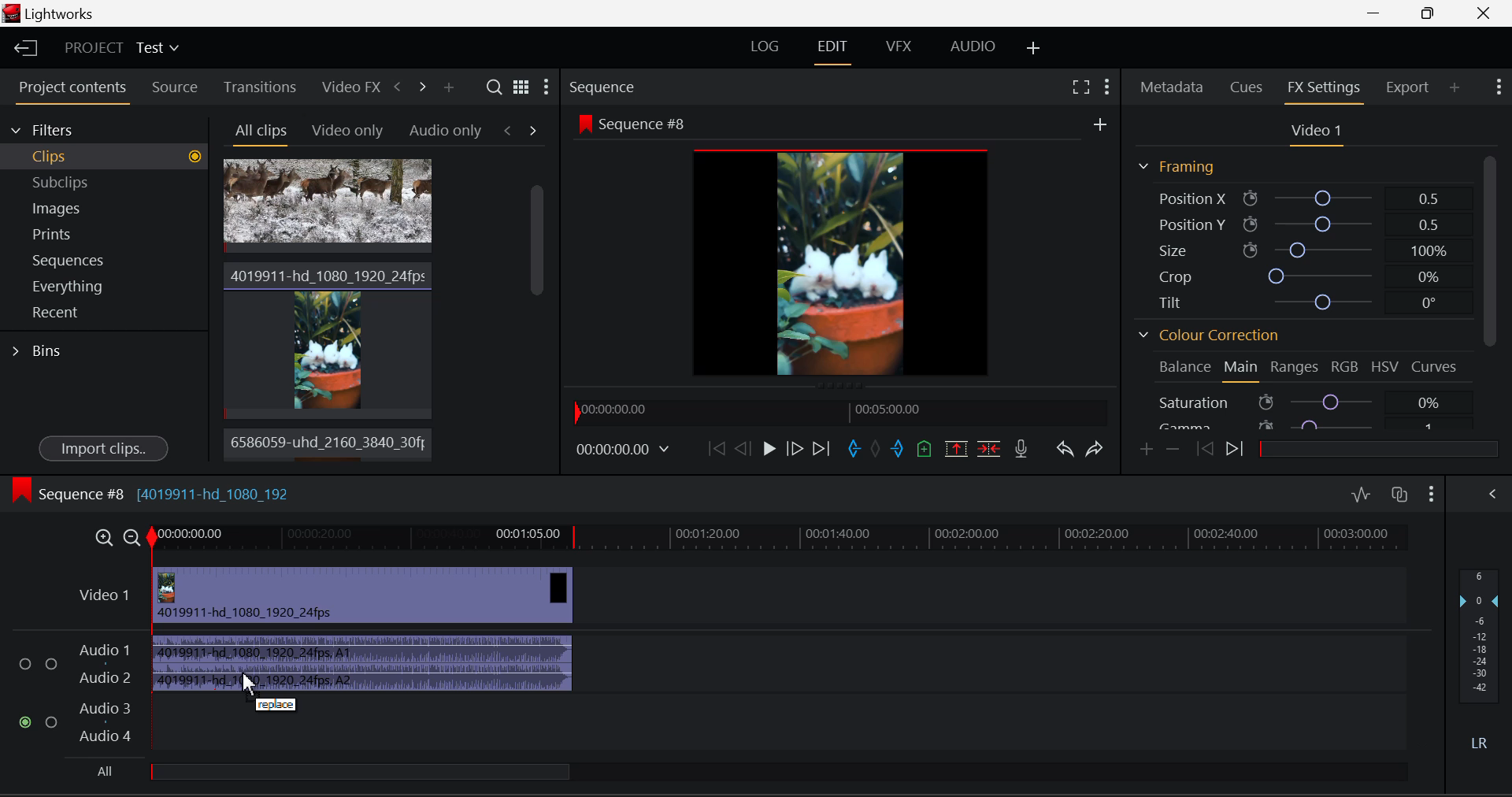 The height and width of the screenshot is (797, 1512). Describe the element at coordinates (1107, 86) in the screenshot. I see `Show Settings` at that location.